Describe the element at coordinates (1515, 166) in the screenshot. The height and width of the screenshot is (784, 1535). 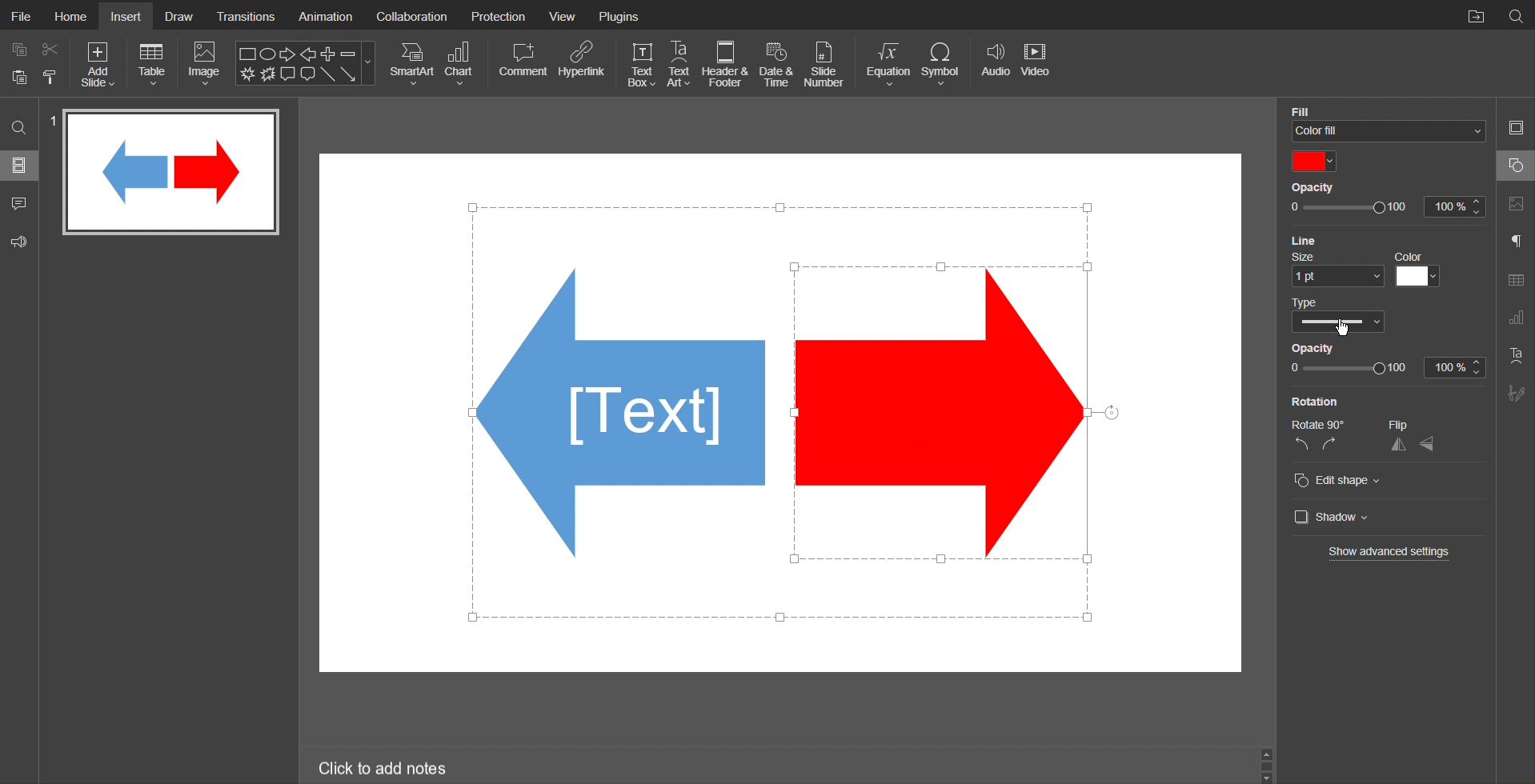
I see `Shape Settings` at that location.